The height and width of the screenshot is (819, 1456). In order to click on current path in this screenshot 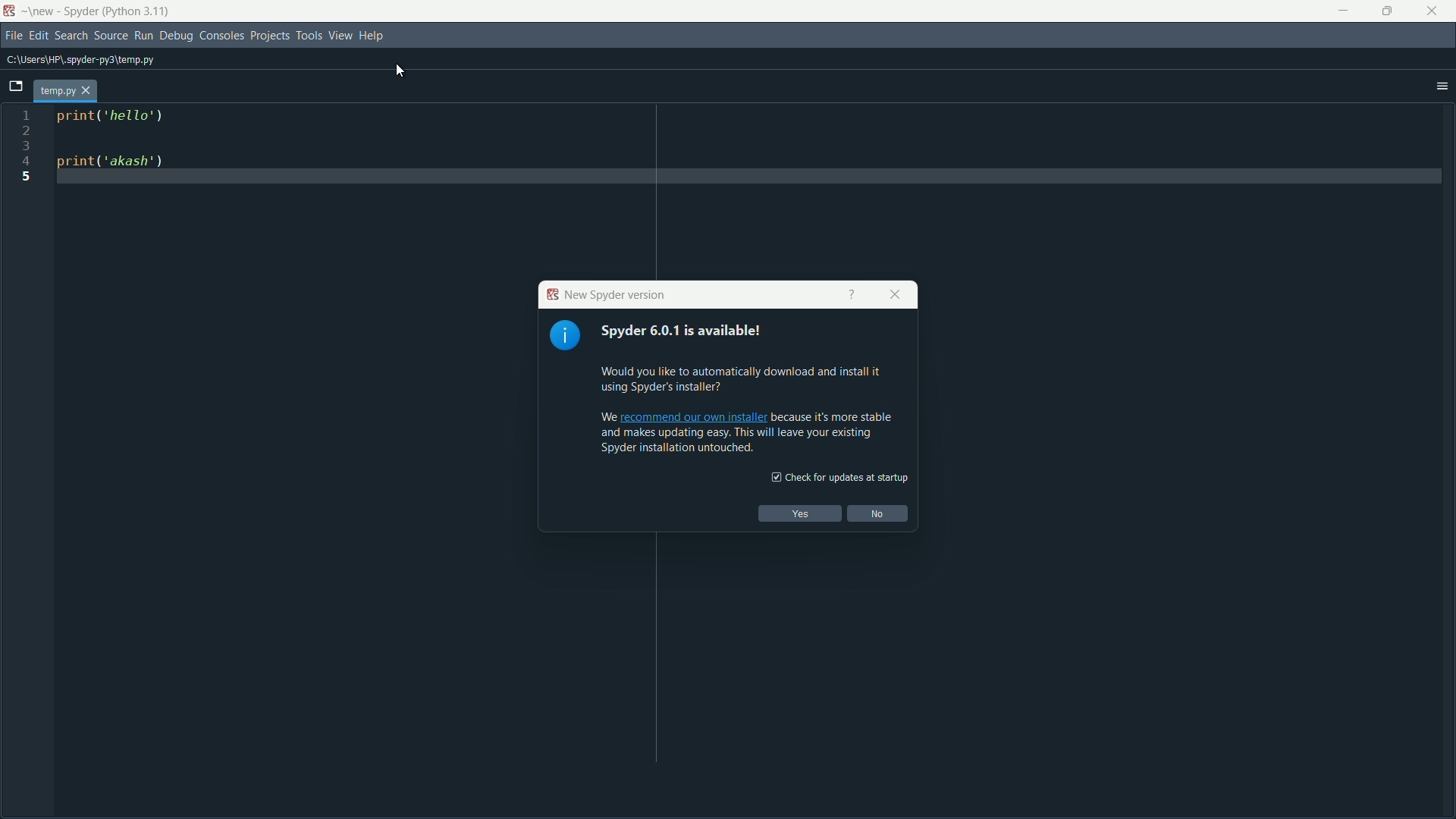, I will do `click(93, 61)`.